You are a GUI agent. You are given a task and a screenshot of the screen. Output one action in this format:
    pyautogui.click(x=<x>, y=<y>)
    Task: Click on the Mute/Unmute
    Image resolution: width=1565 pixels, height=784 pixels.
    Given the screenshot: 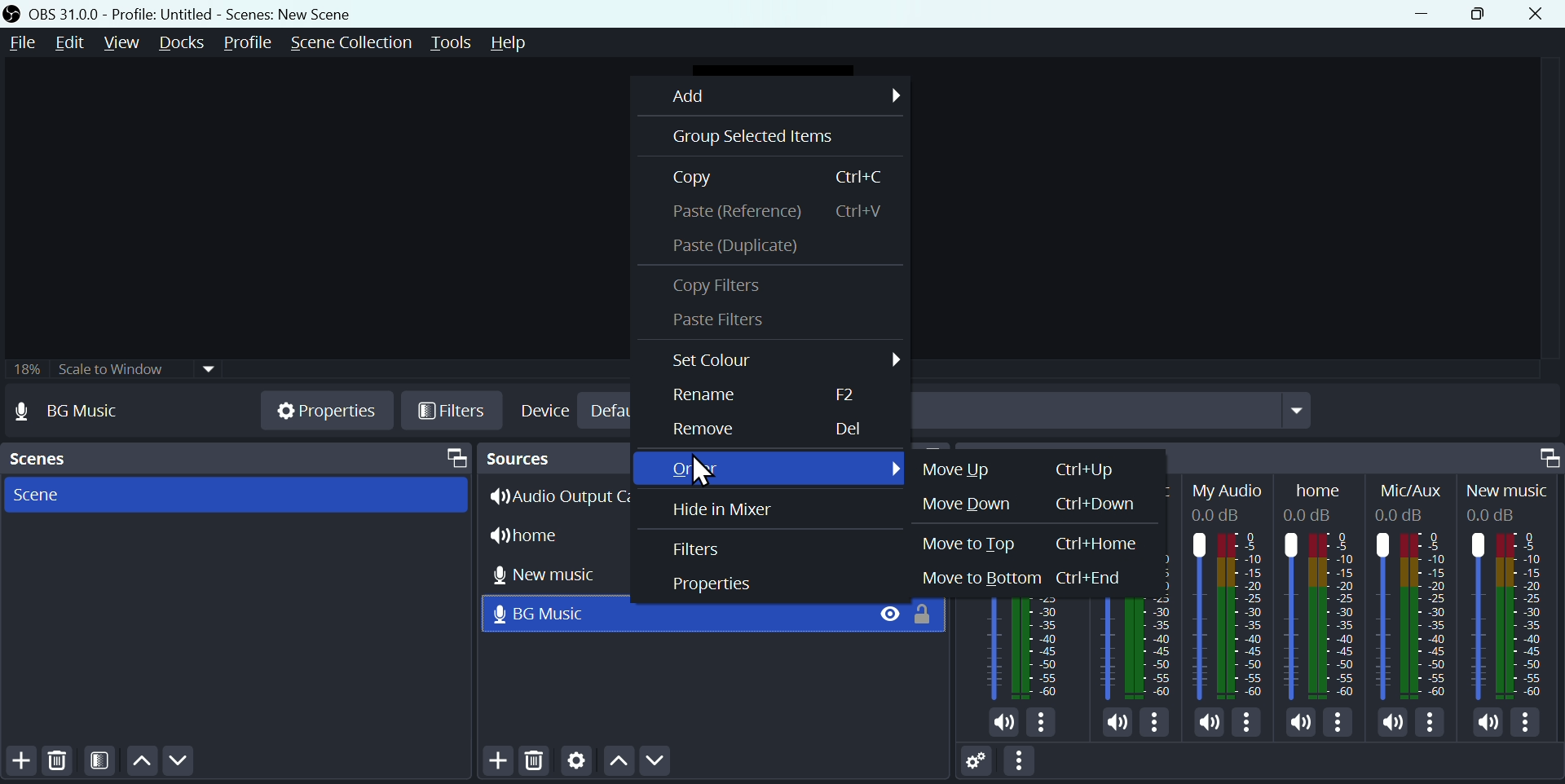 What is the action you would take?
    pyautogui.click(x=1003, y=723)
    